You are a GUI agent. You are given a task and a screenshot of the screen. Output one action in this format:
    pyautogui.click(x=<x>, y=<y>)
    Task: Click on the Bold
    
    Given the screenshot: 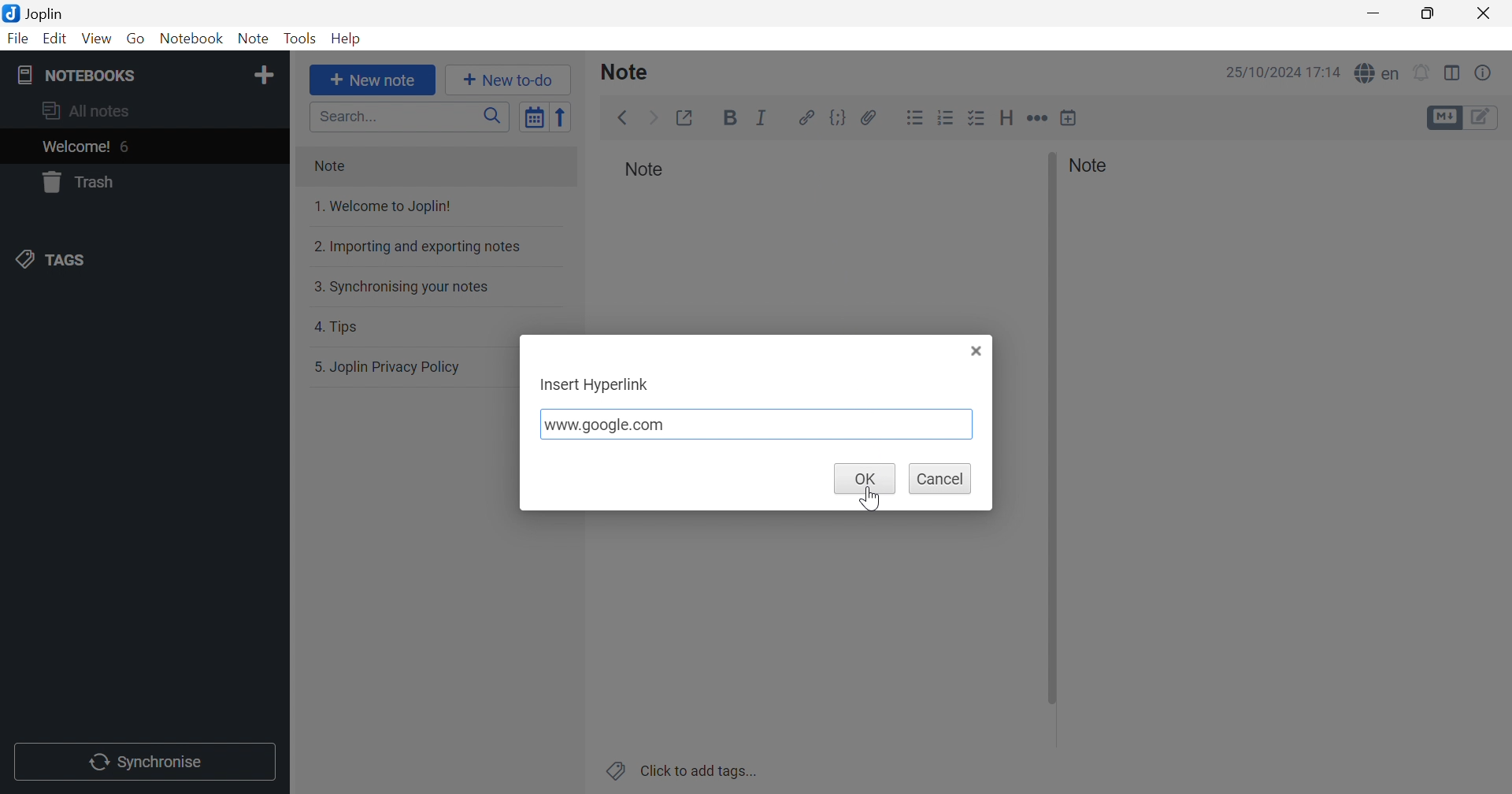 What is the action you would take?
    pyautogui.click(x=730, y=120)
    